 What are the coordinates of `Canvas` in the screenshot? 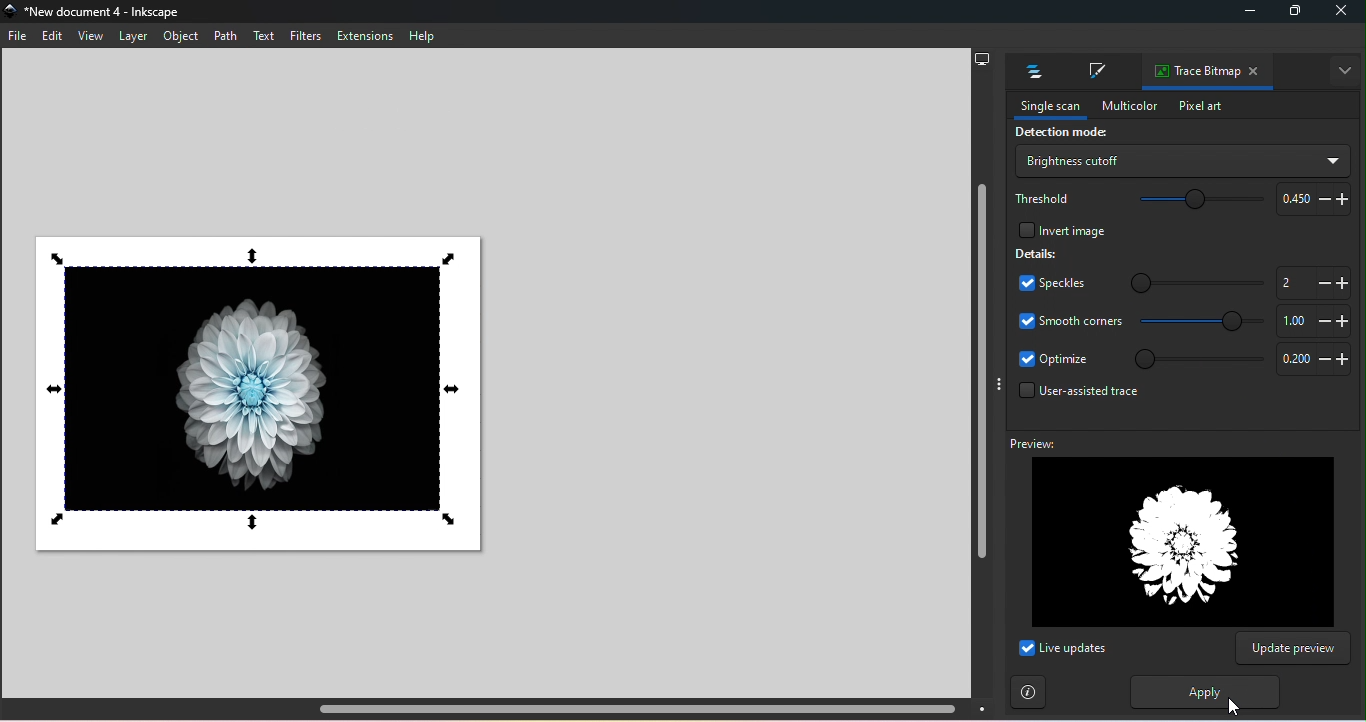 It's located at (259, 391).